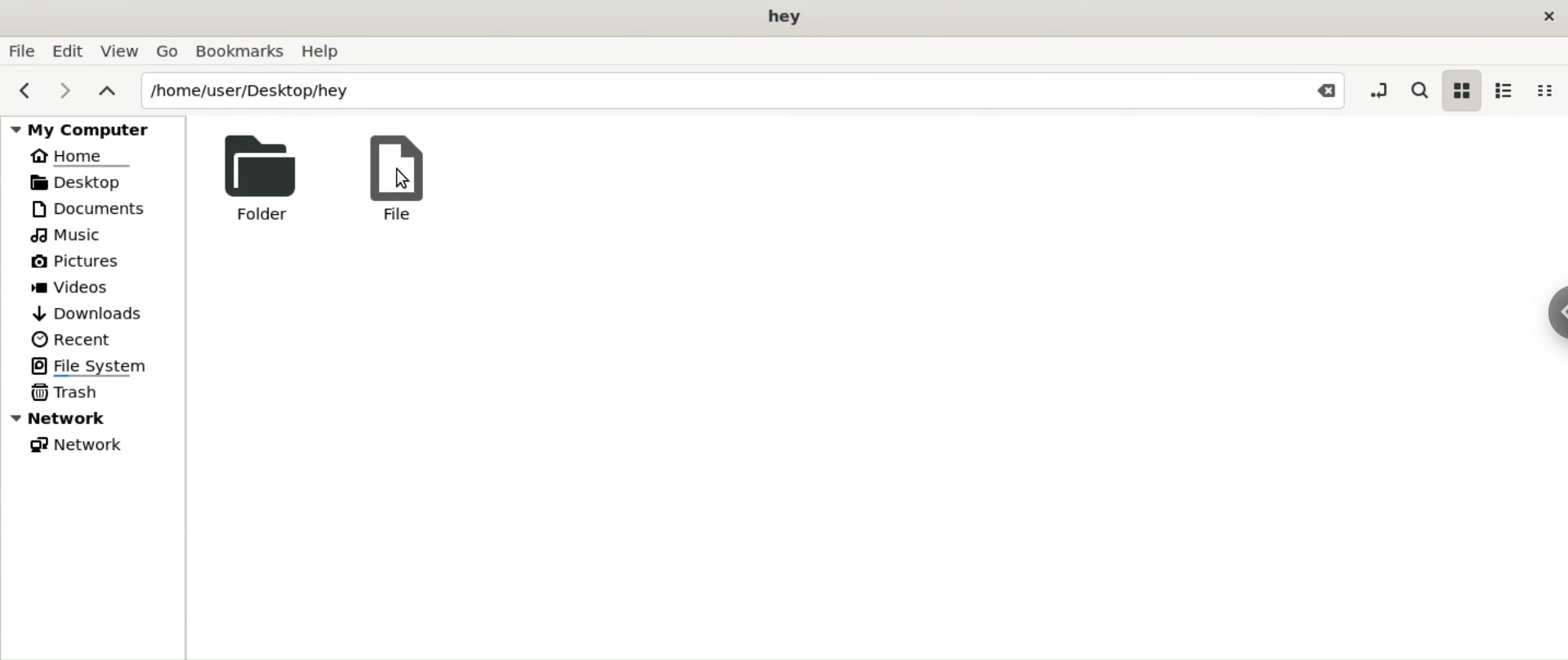  I want to click on /home/user/Desktop/hey, so click(704, 91).